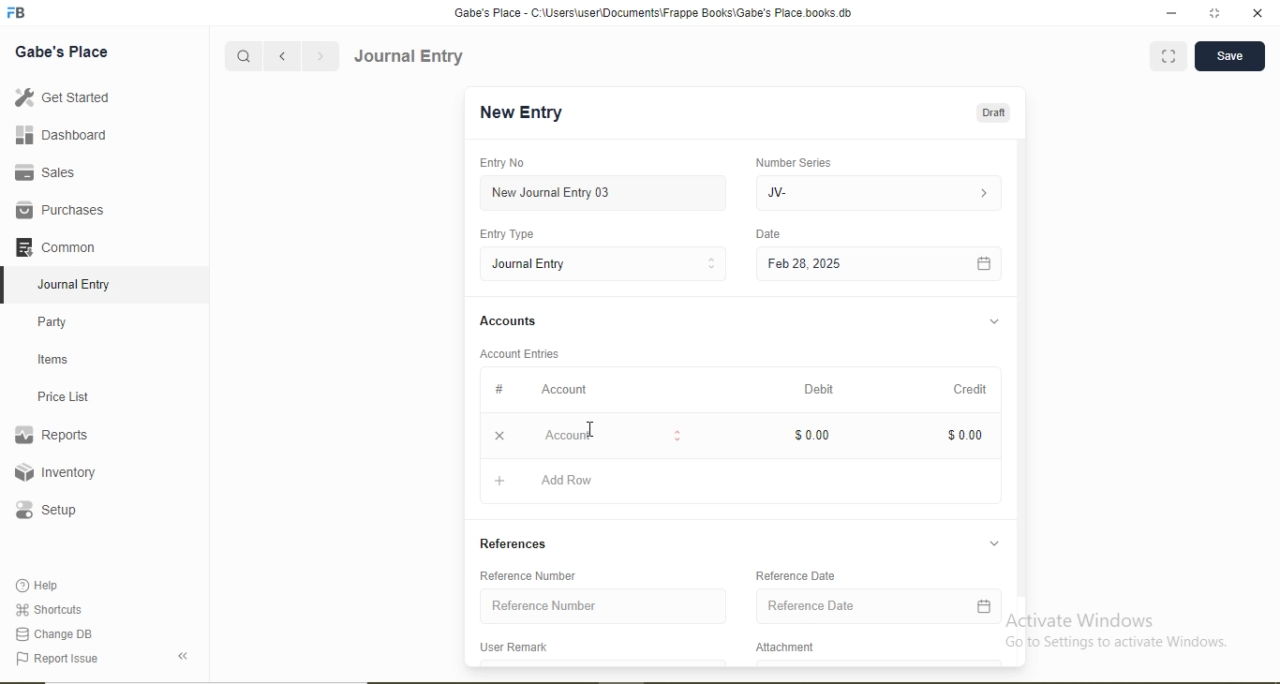 This screenshot has width=1280, height=684. What do you see at coordinates (59, 210) in the screenshot?
I see `Purchases` at bounding box center [59, 210].